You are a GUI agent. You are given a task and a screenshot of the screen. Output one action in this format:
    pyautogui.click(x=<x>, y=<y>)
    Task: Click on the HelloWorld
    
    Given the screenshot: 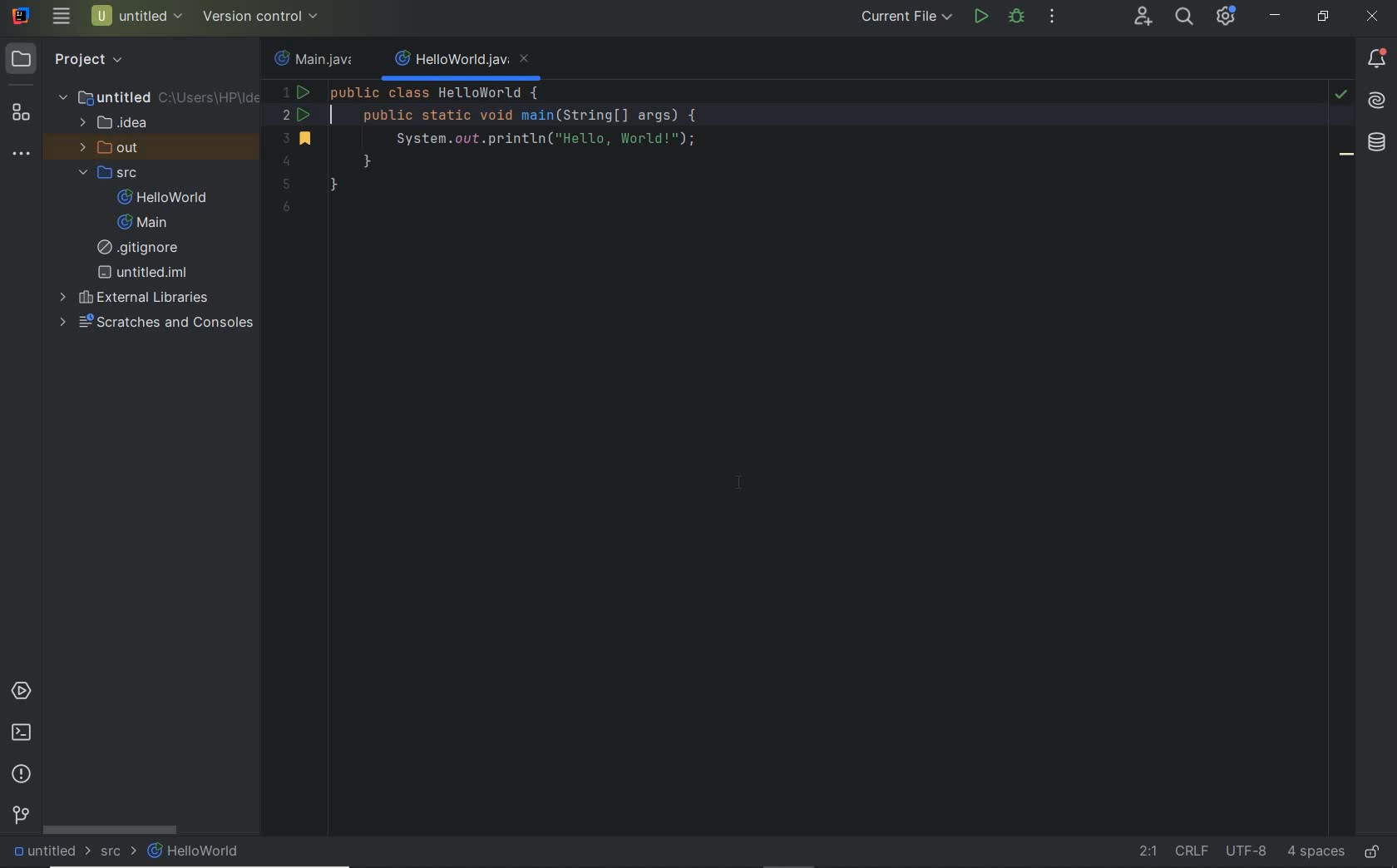 What is the action you would take?
    pyautogui.click(x=195, y=851)
    